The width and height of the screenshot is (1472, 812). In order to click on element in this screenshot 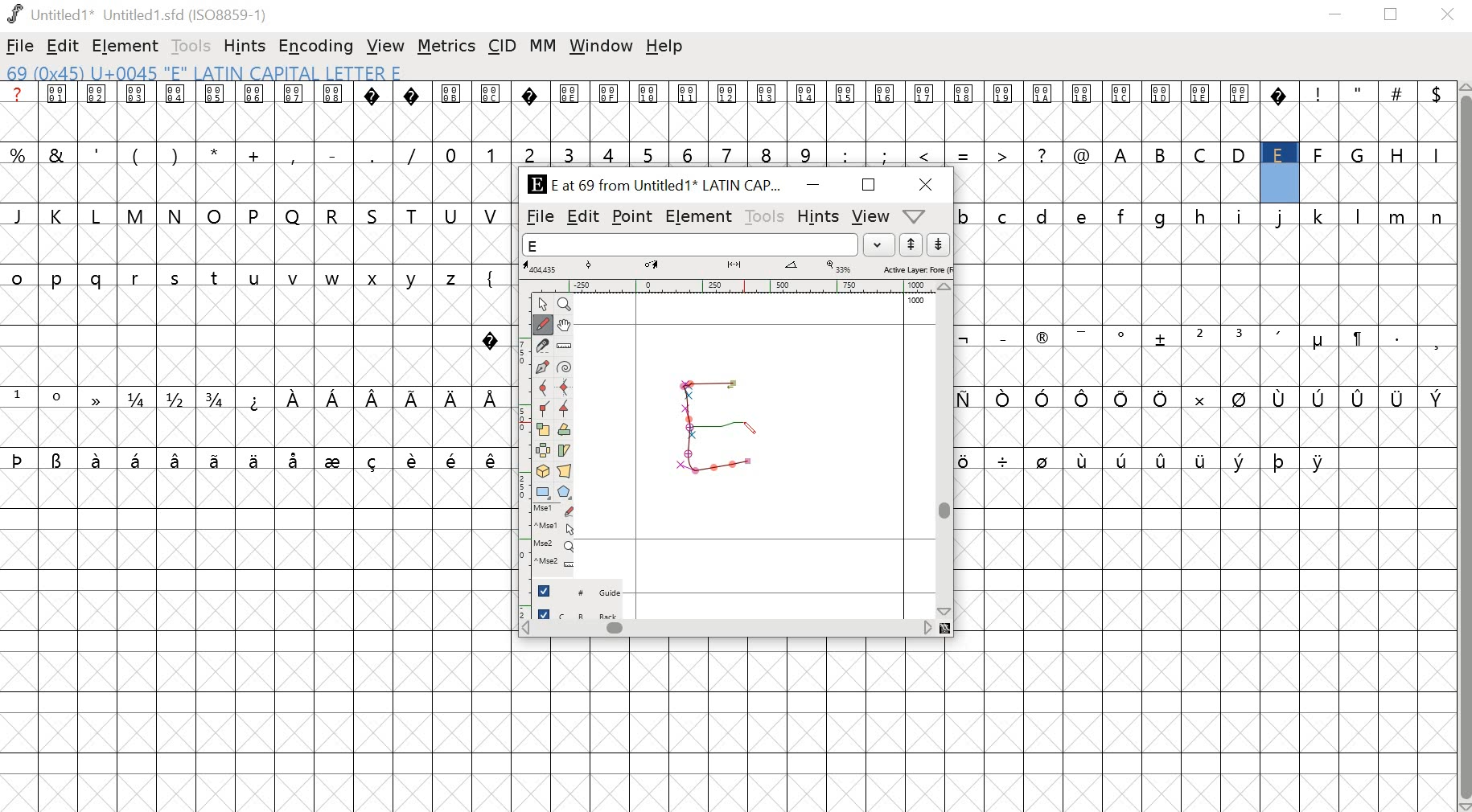, I will do `click(122, 45)`.